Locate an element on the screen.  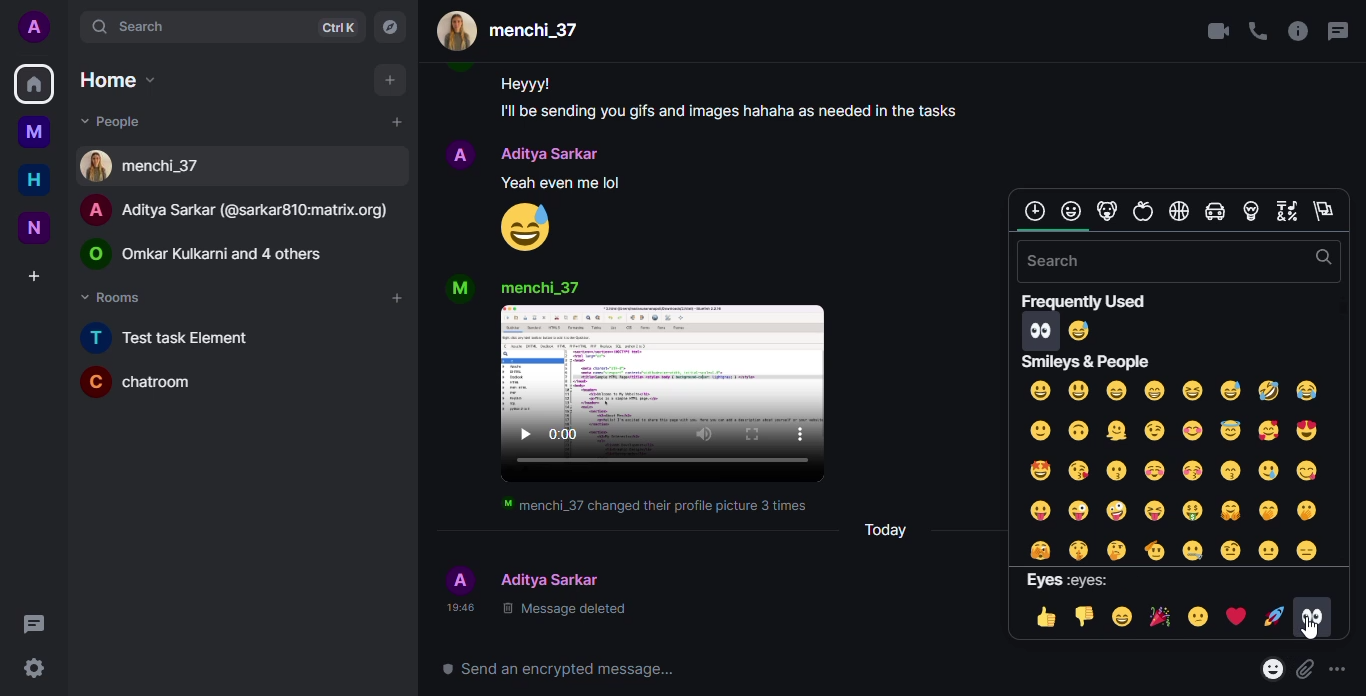
add is located at coordinates (385, 80).